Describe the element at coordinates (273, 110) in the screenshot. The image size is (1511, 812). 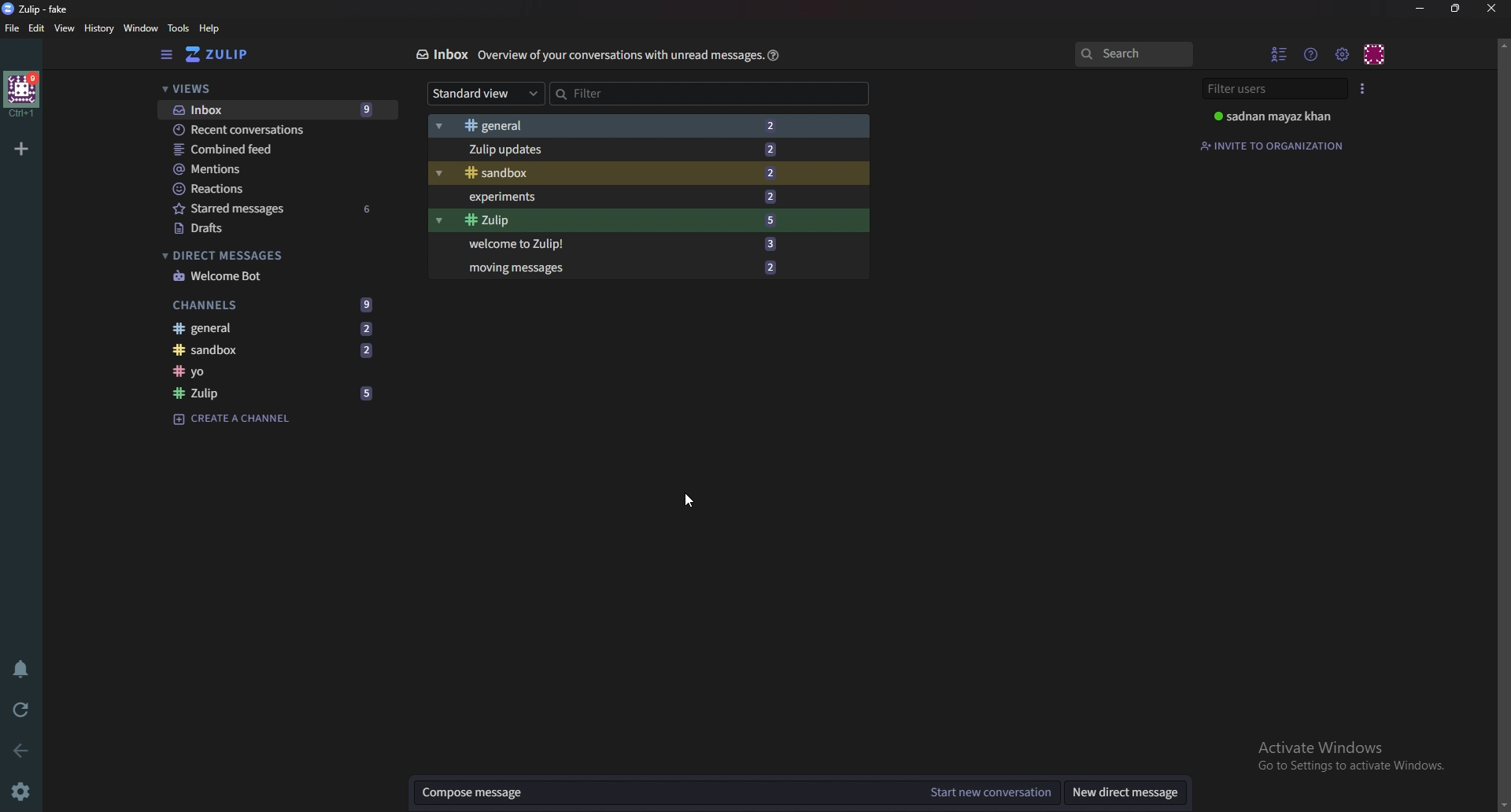
I see `Inbox` at that location.